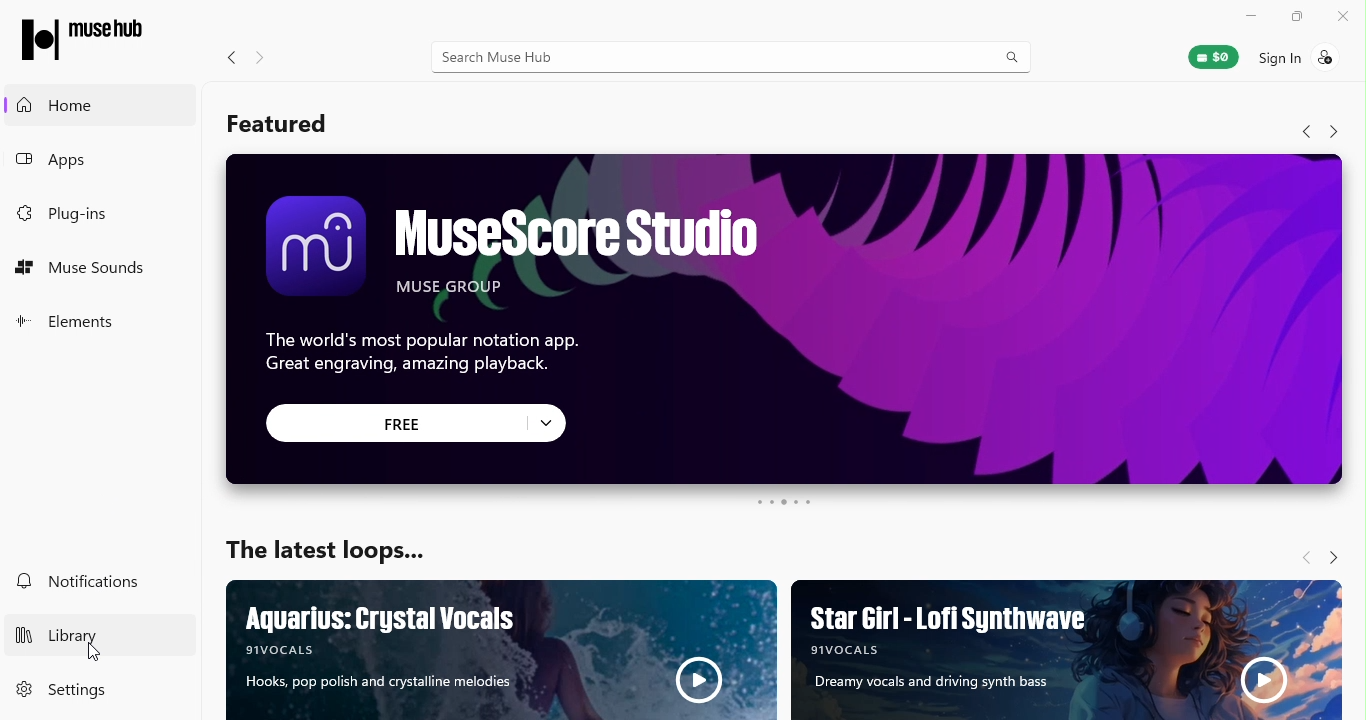 This screenshot has height=720, width=1366. What do you see at coordinates (1208, 55) in the screenshot?
I see `Muse wallet` at bounding box center [1208, 55].